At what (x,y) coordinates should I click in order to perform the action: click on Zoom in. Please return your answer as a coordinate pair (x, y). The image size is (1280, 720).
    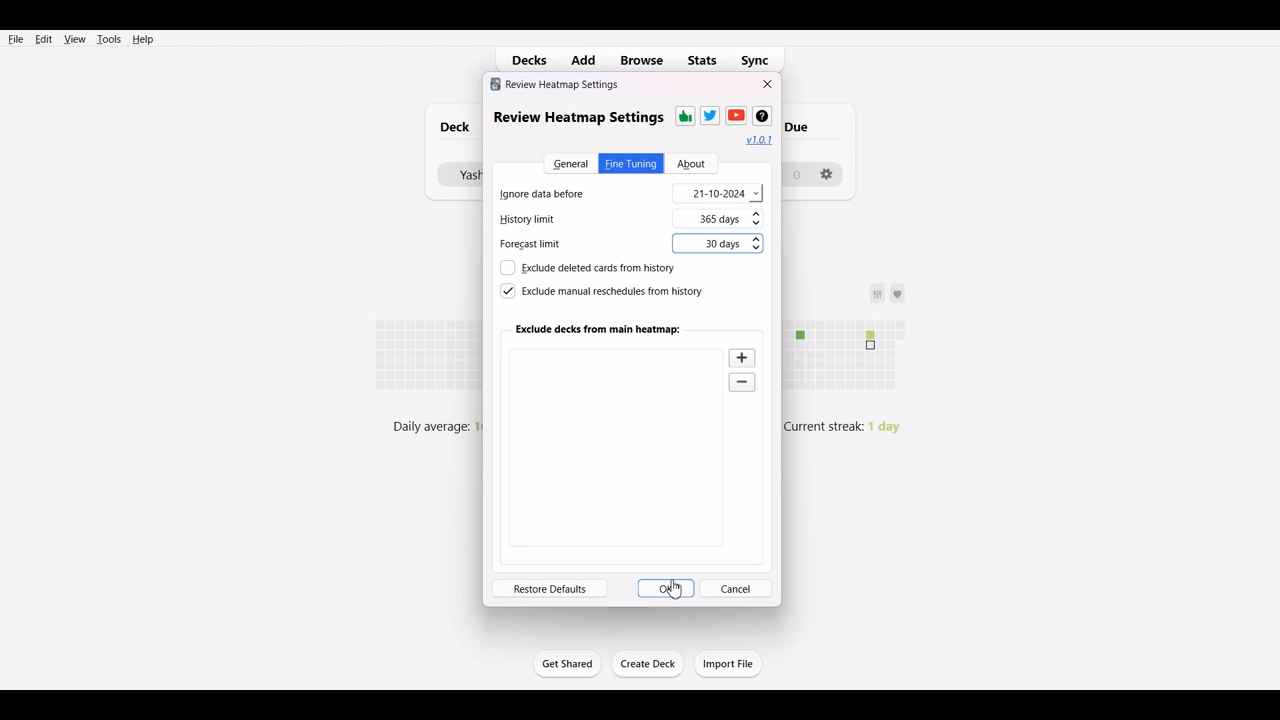
    Looking at the image, I should click on (743, 357).